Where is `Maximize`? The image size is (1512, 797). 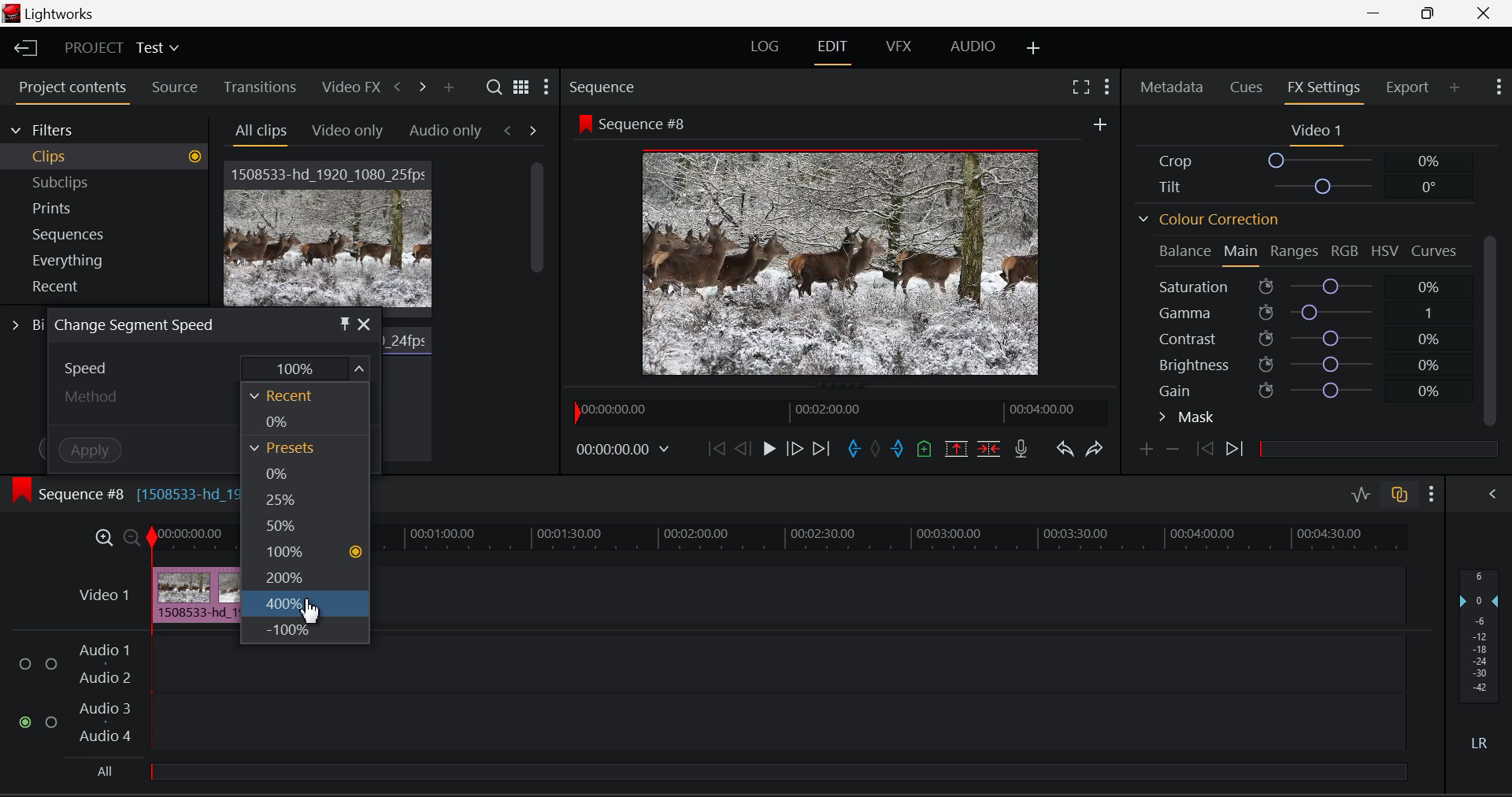
Maximize is located at coordinates (104, 539).